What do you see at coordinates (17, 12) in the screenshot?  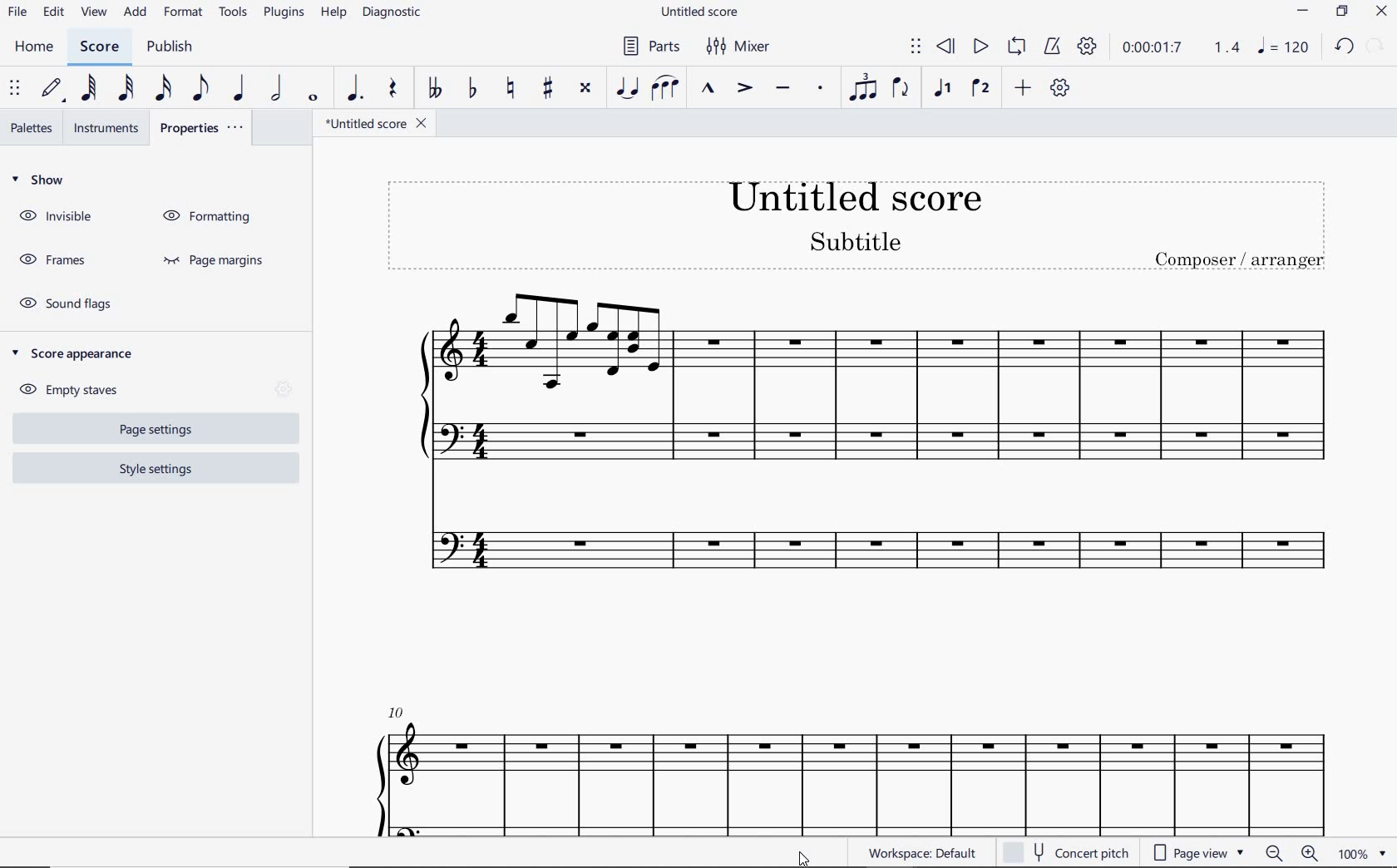 I see `FILE` at bounding box center [17, 12].